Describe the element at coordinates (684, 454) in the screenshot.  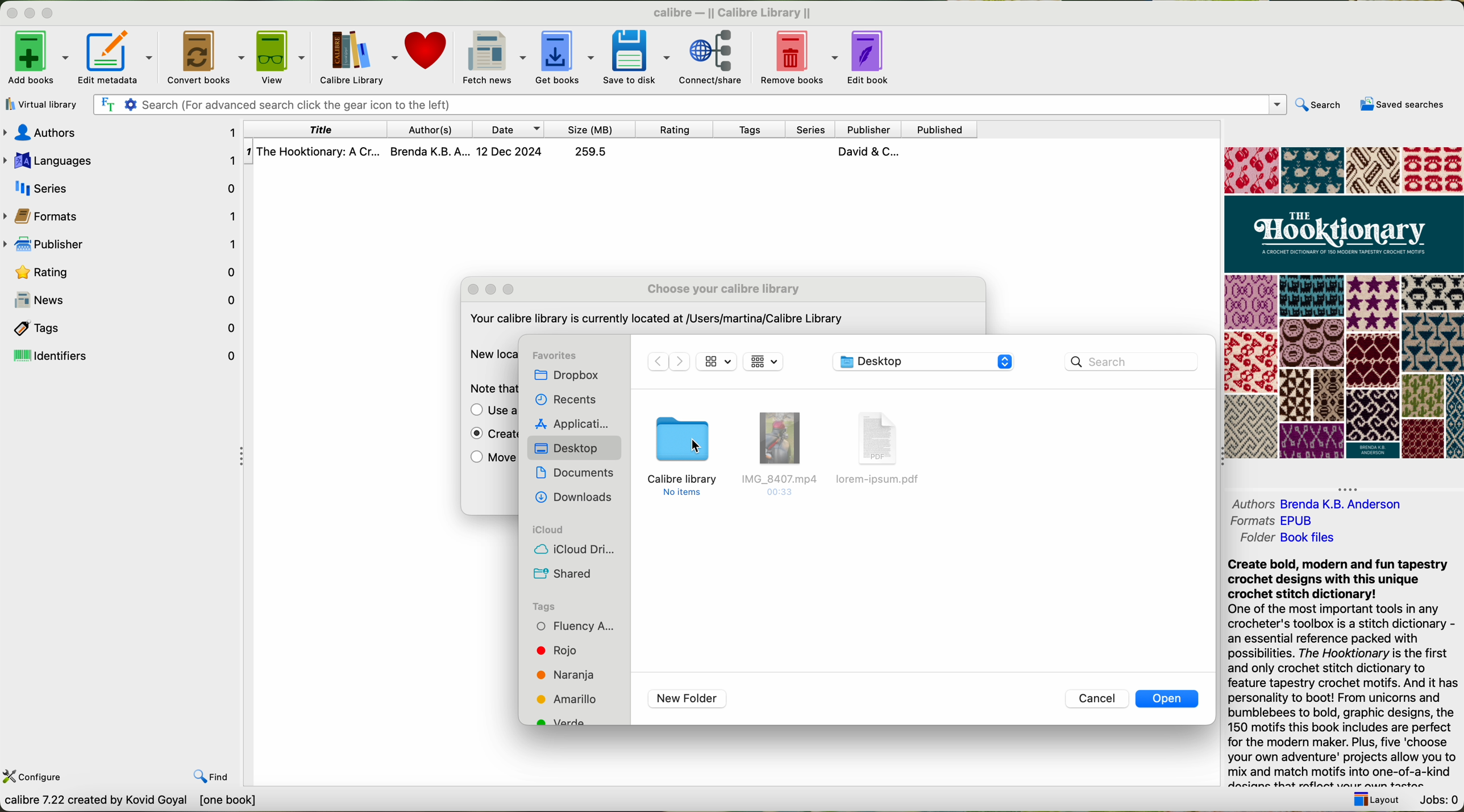
I see `click on calibre library folder` at that location.